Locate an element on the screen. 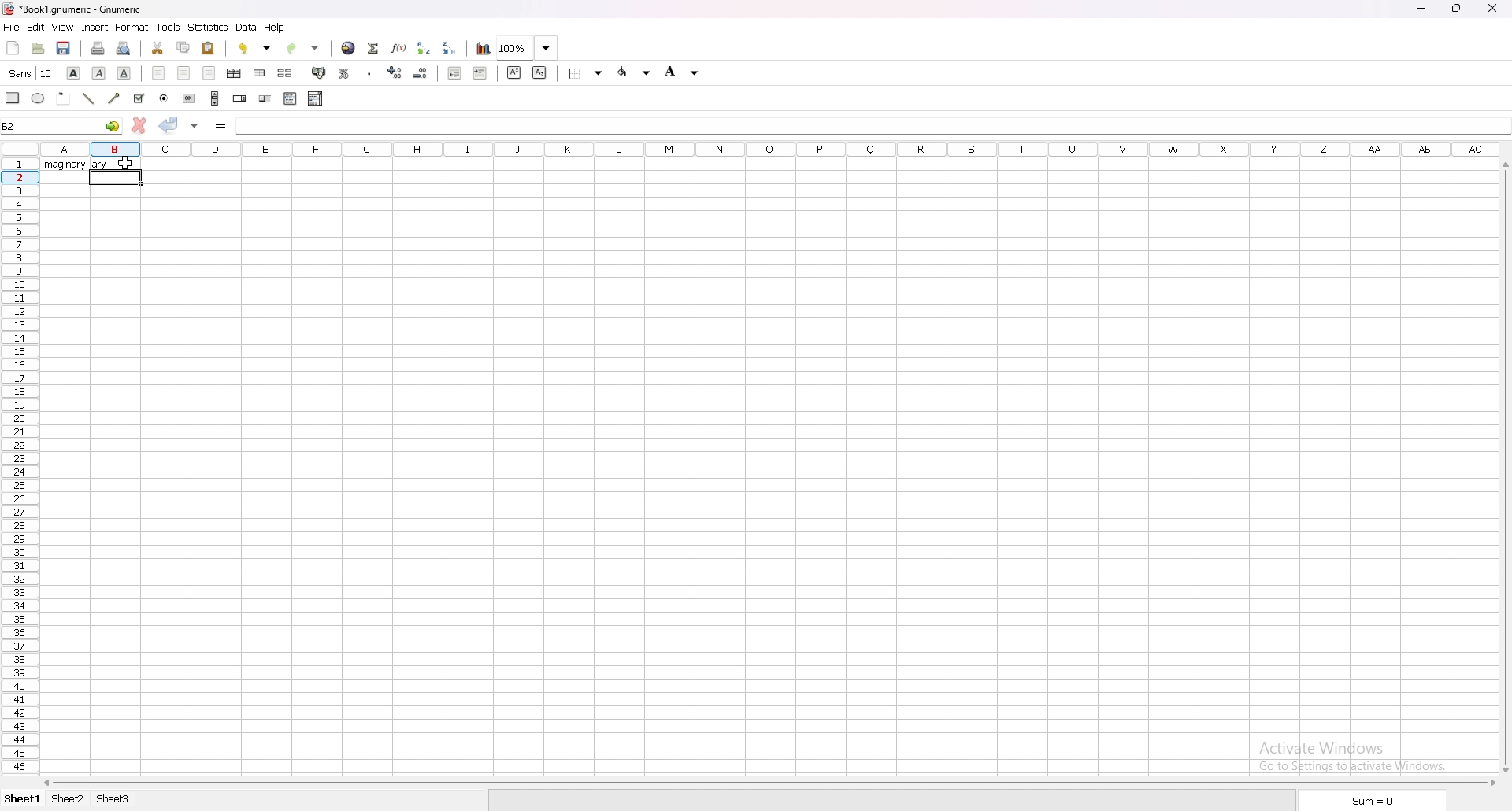  scroll bar is located at coordinates (769, 783).